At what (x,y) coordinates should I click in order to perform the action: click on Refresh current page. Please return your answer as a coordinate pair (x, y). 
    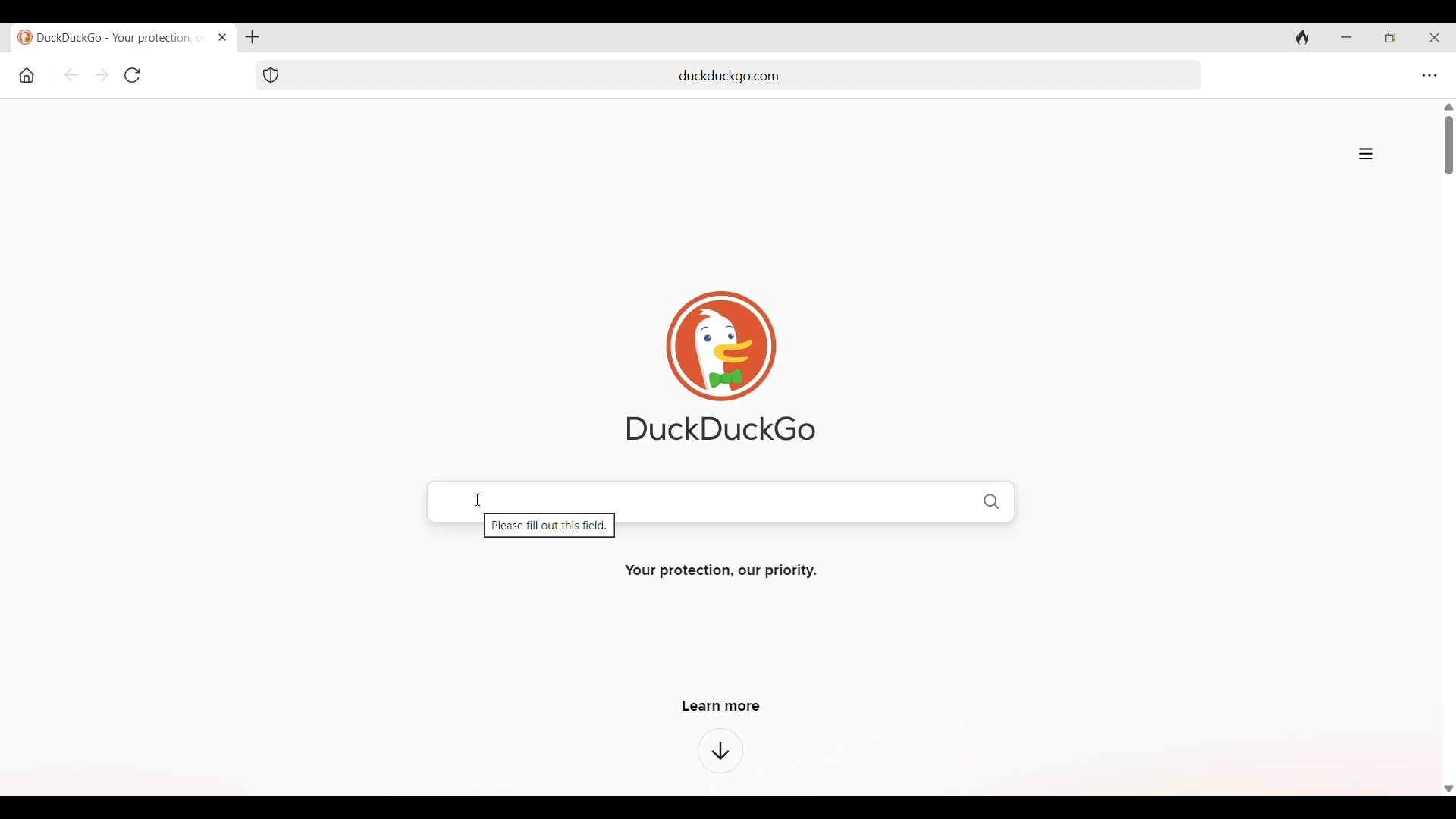
    Looking at the image, I should click on (133, 75).